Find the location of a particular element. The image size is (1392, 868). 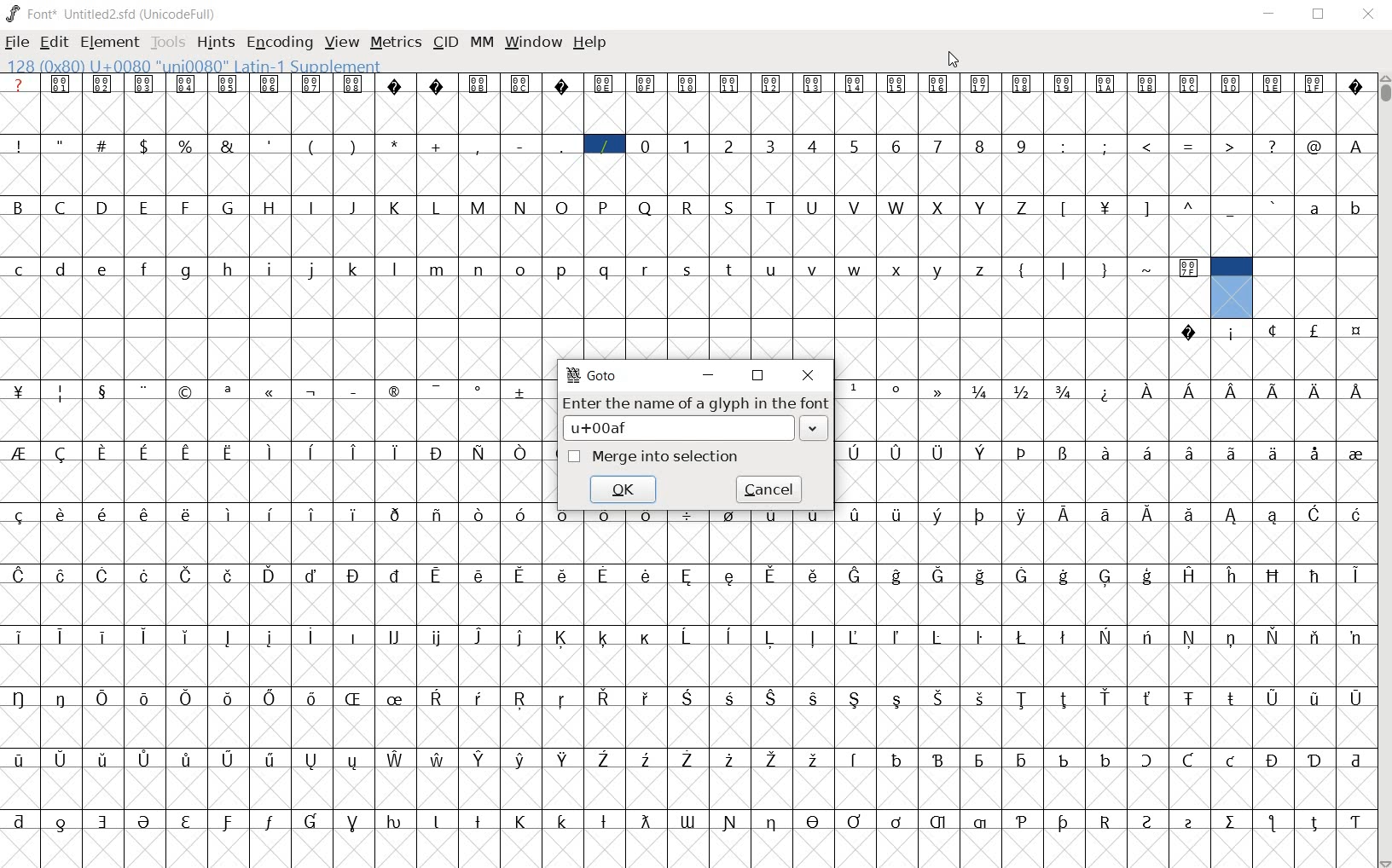

Symbol is located at coordinates (393, 638).